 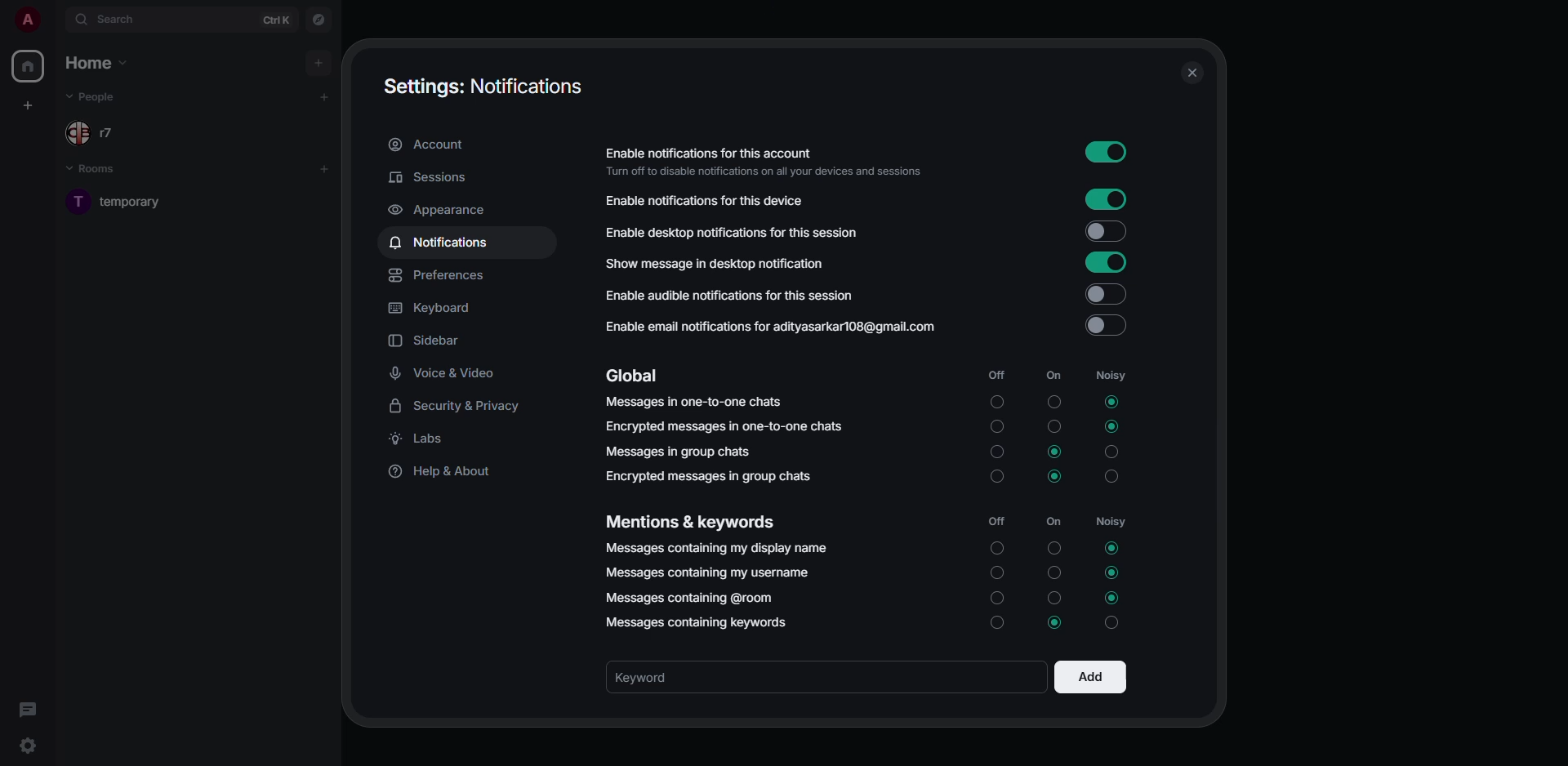 What do you see at coordinates (1054, 403) in the screenshot?
I see `turn off` at bounding box center [1054, 403].